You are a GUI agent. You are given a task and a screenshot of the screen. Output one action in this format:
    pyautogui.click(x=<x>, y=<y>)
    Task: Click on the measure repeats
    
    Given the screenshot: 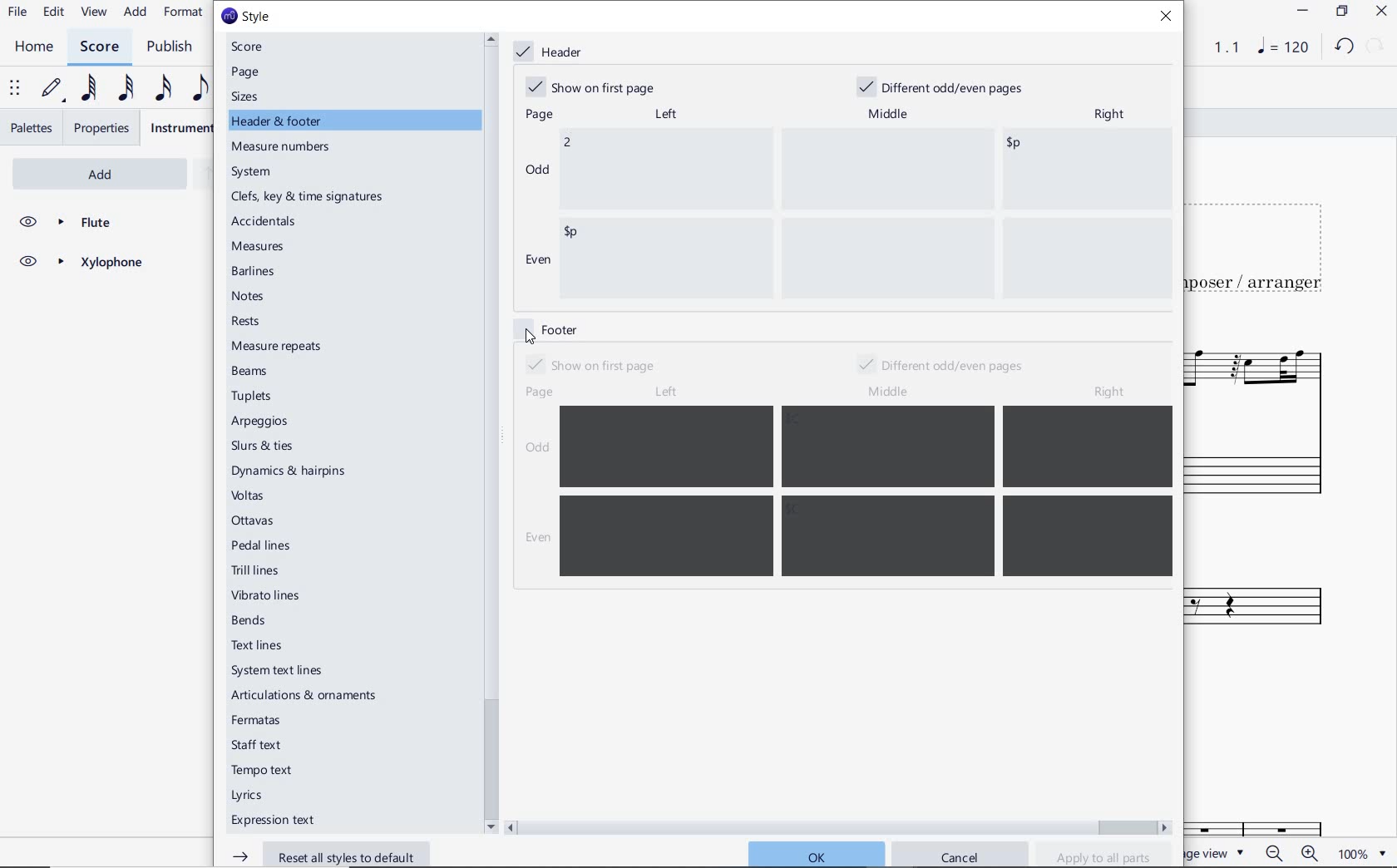 What is the action you would take?
    pyautogui.click(x=277, y=346)
    